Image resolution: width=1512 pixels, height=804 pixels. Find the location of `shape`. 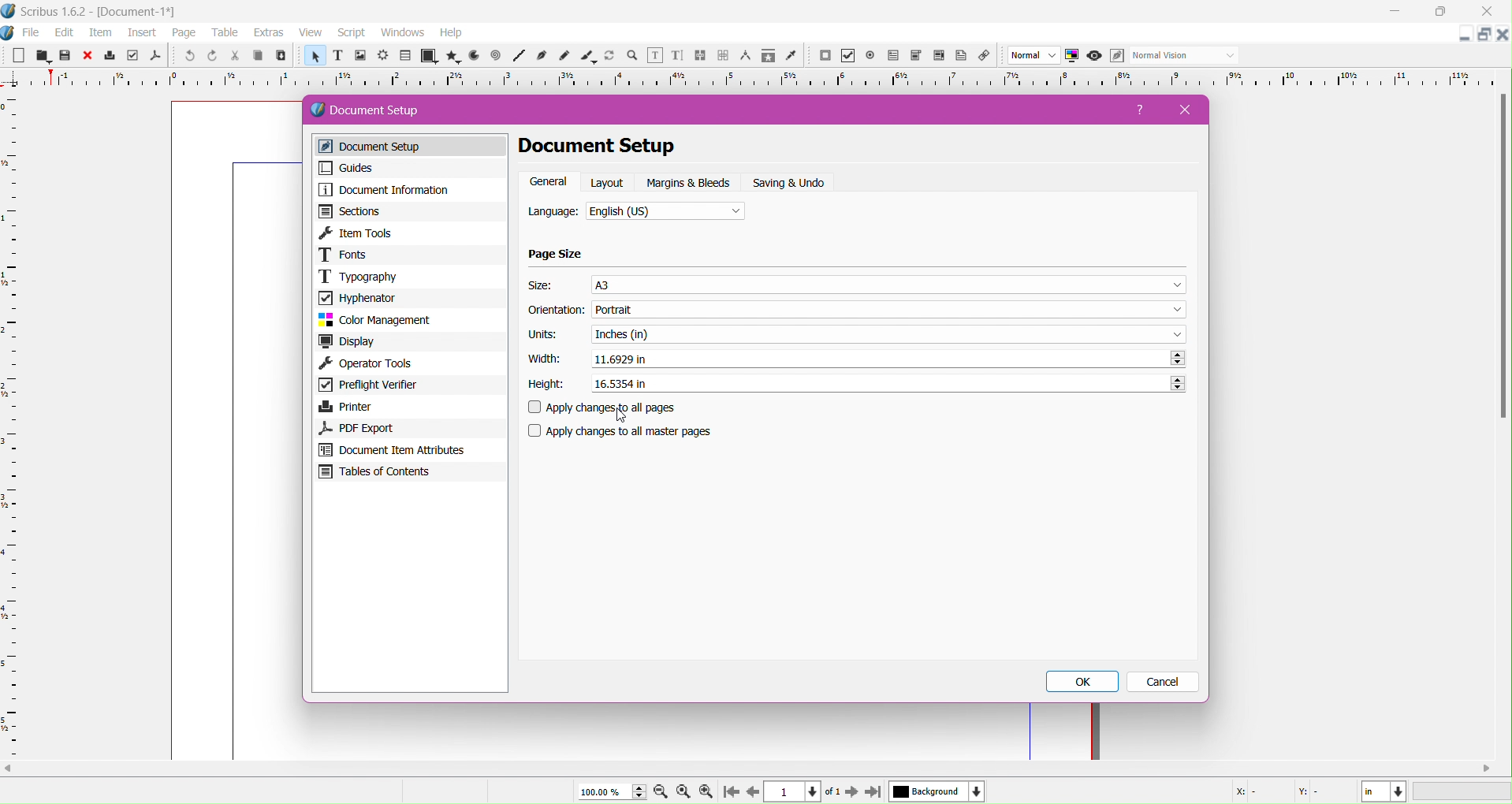

shape is located at coordinates (427, 57).